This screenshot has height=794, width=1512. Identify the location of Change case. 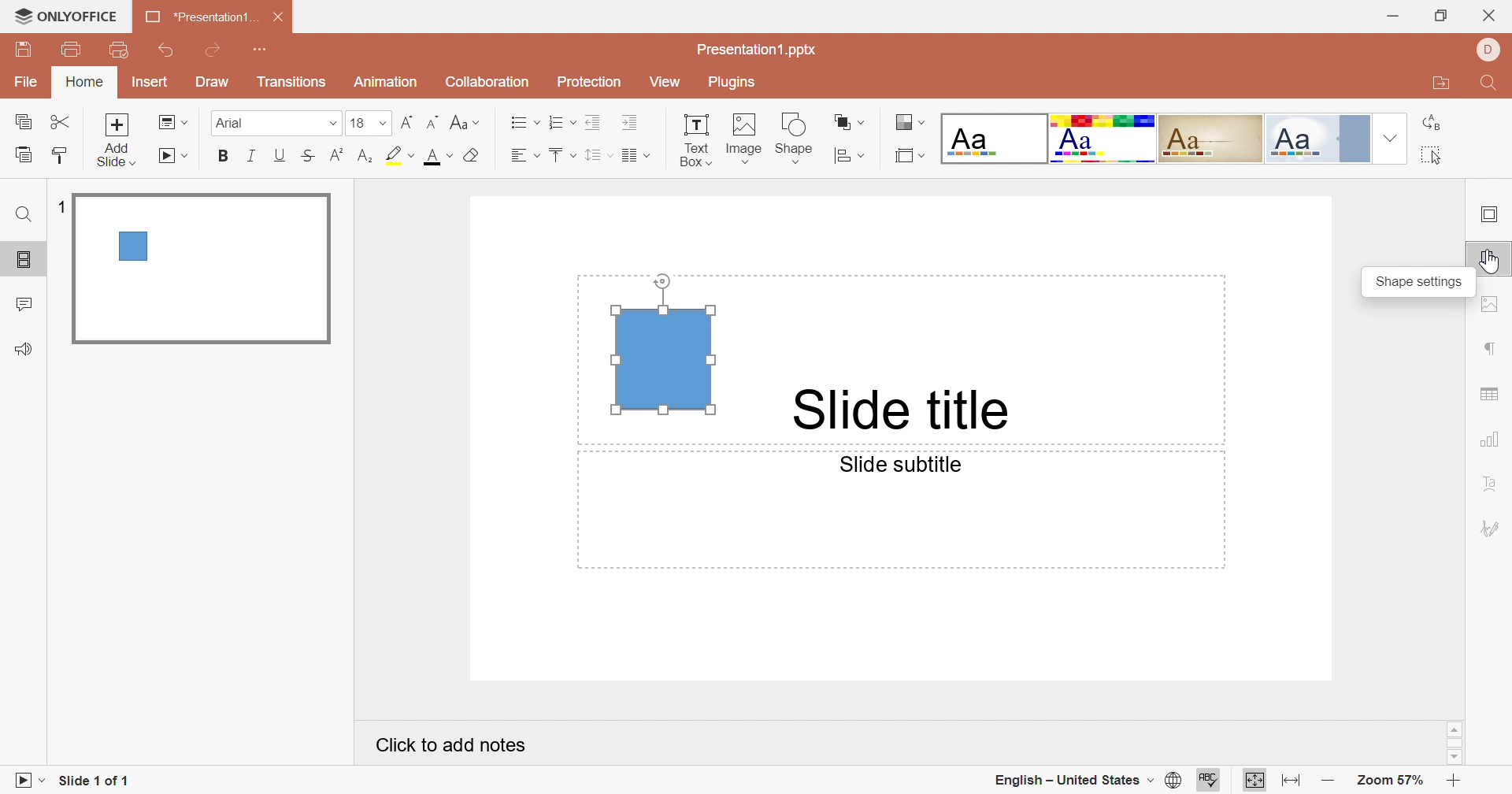
(466, 124).